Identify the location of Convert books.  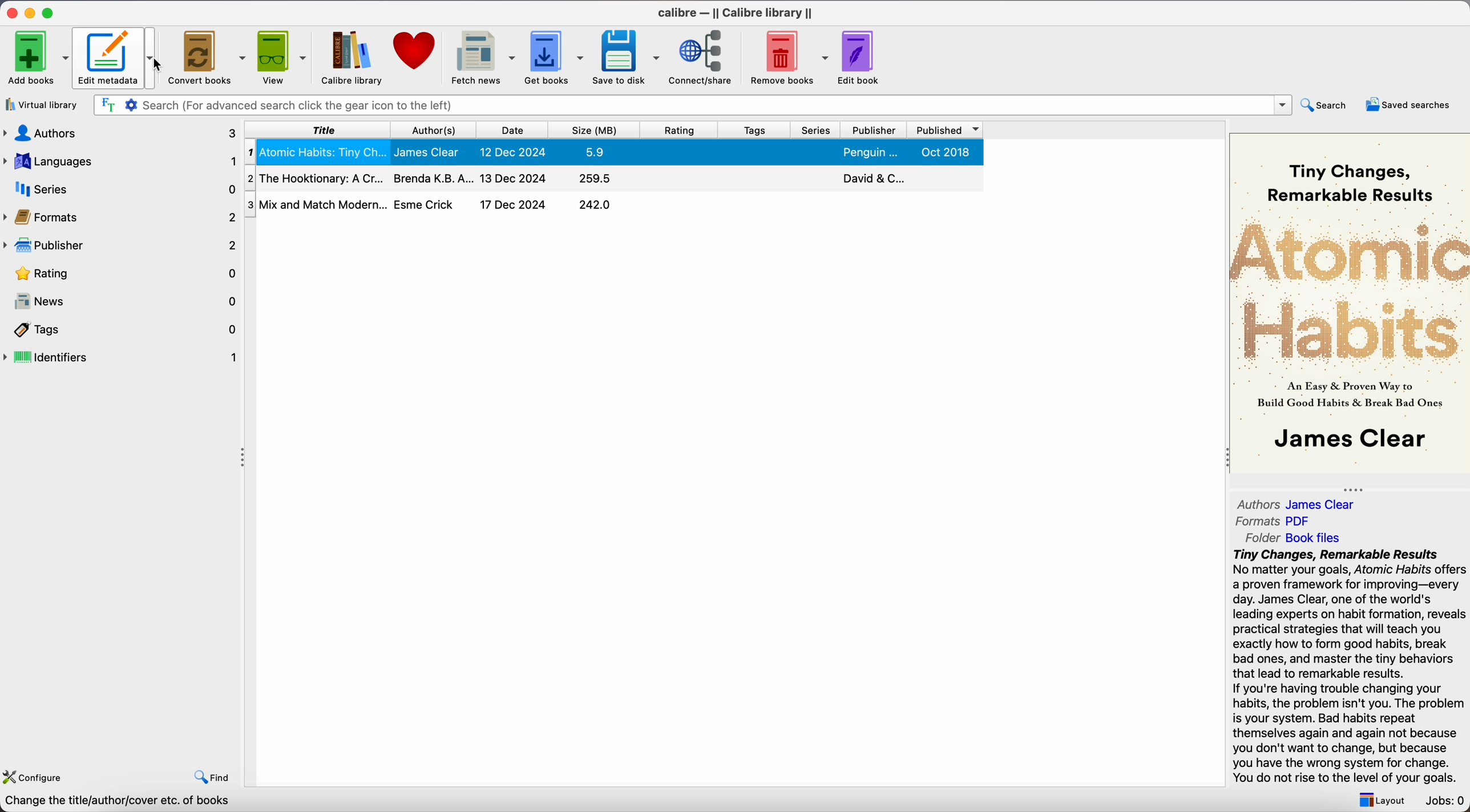
(205, 56).